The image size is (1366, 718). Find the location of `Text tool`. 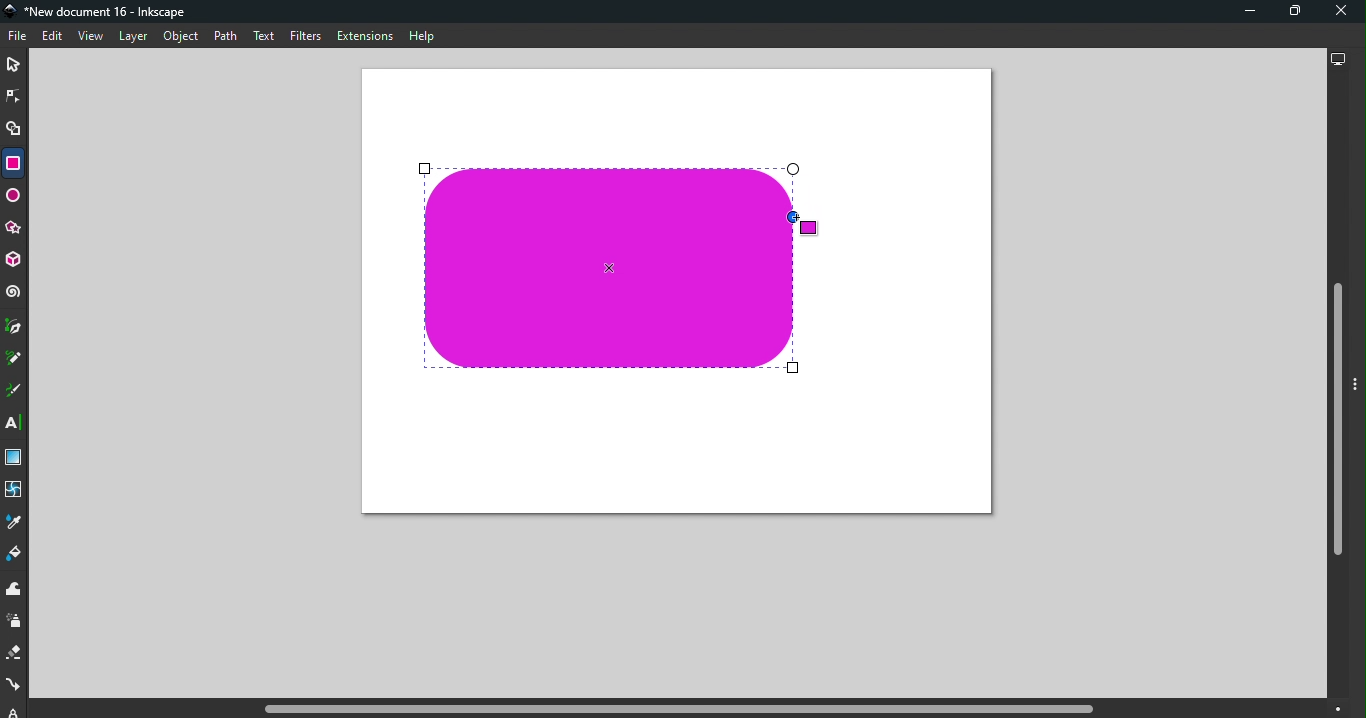

Text tool is located at coordinates (16, 423).